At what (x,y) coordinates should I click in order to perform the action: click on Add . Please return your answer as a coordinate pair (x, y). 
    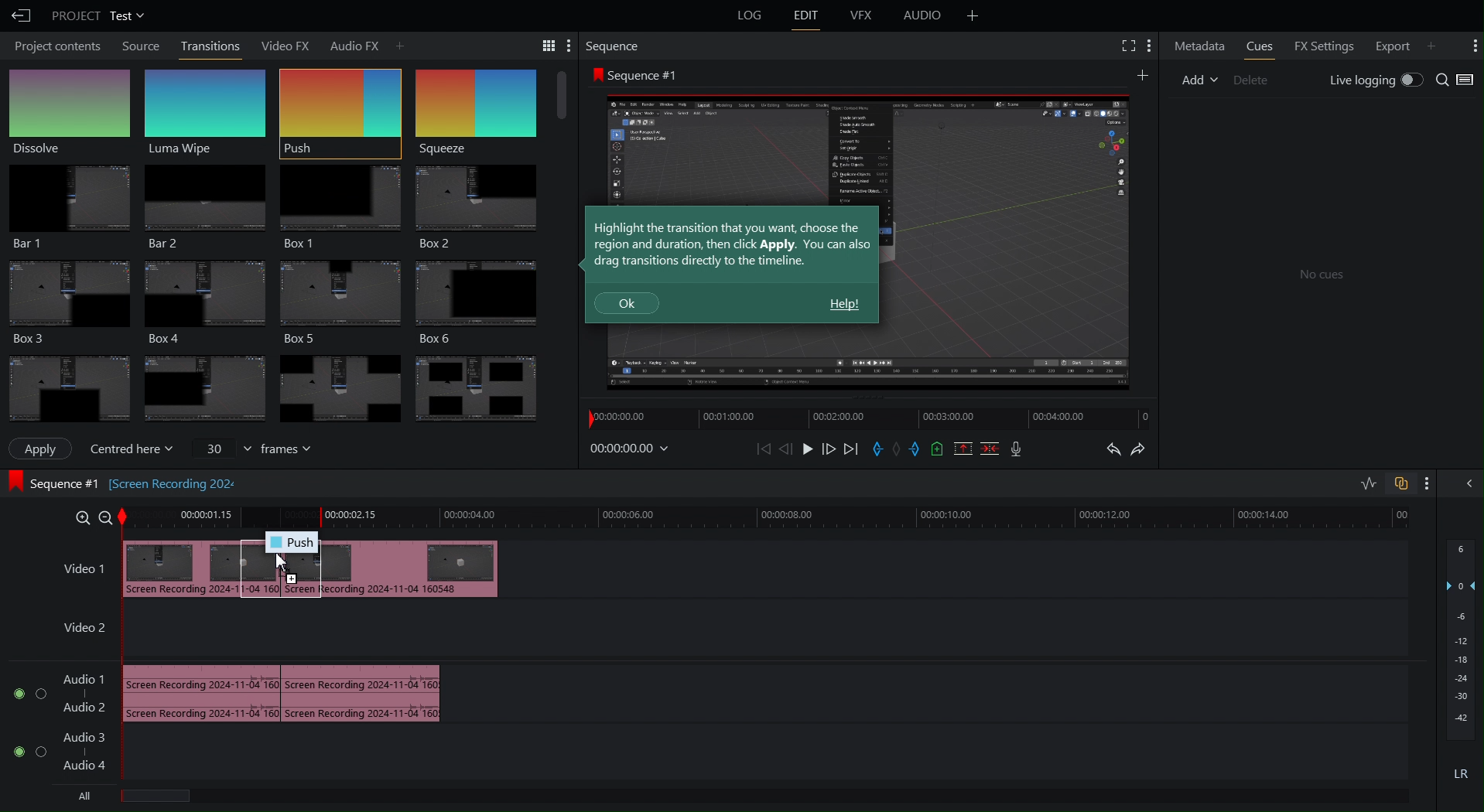
    Looking at the image, I should click on (1198, 80).